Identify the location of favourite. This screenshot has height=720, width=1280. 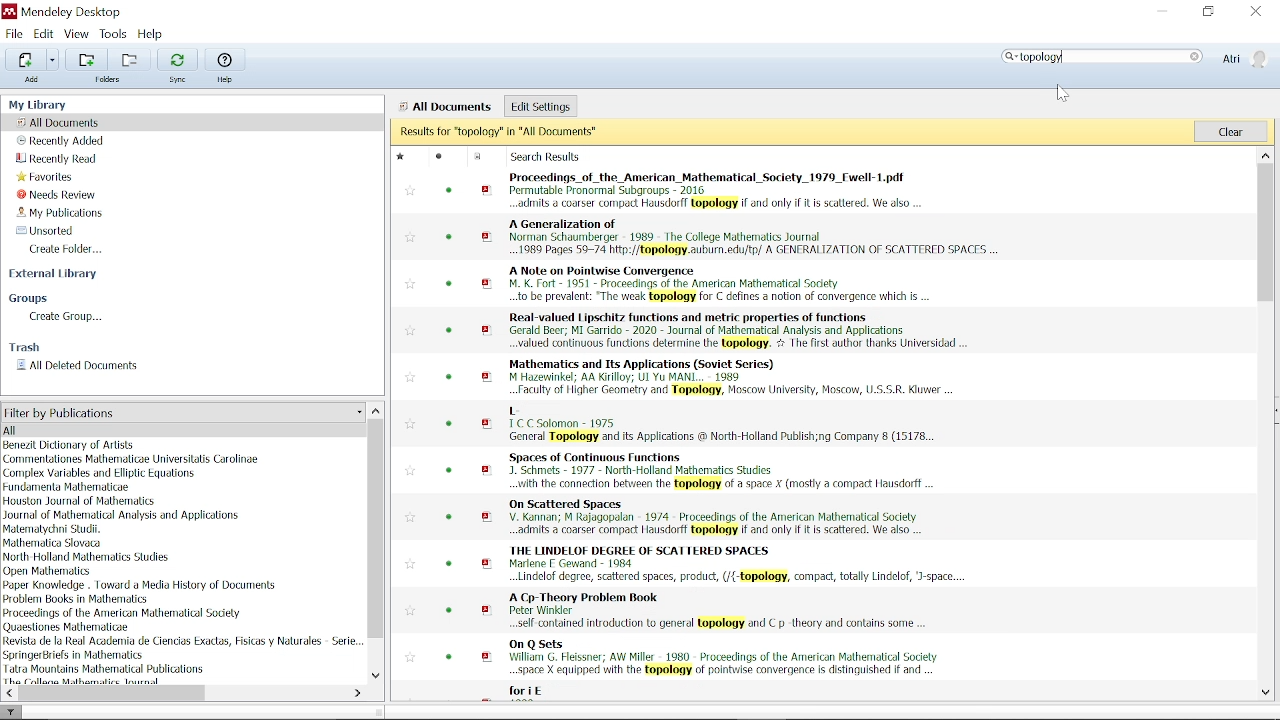
(408, 376).